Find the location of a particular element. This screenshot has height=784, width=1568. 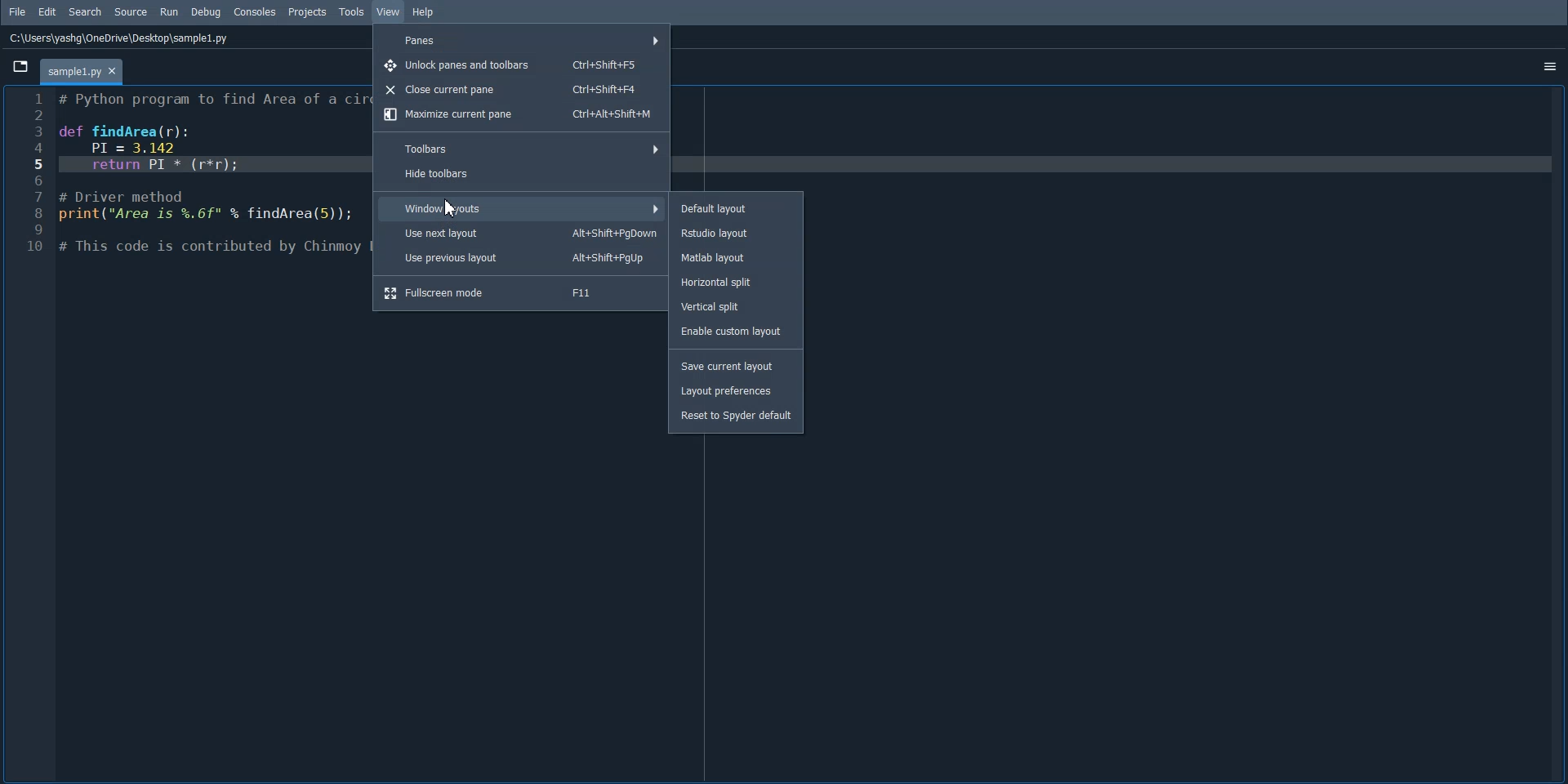

Help is located at coordinates (424, 13).